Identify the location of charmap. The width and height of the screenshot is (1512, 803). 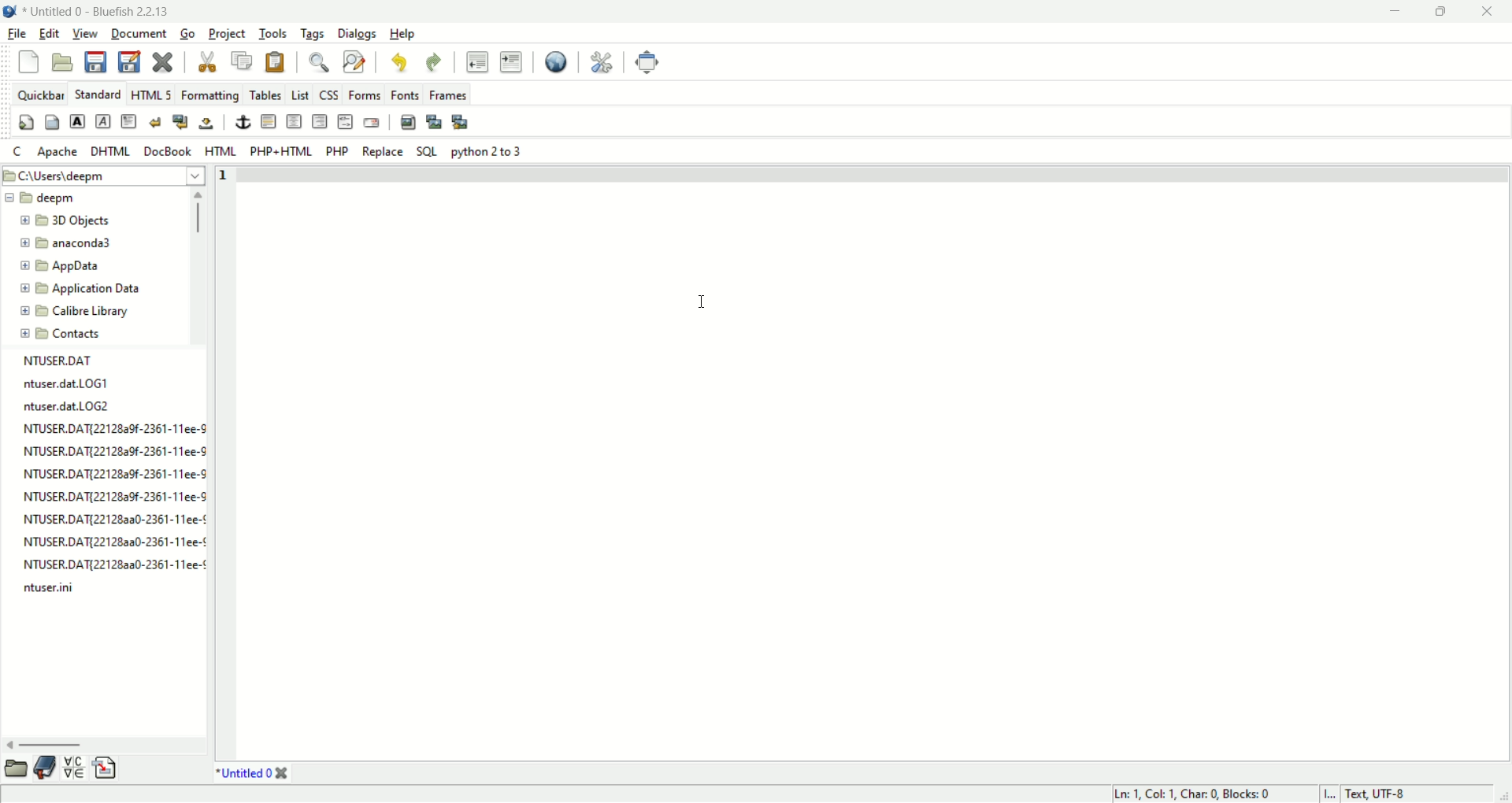
(75, 769).